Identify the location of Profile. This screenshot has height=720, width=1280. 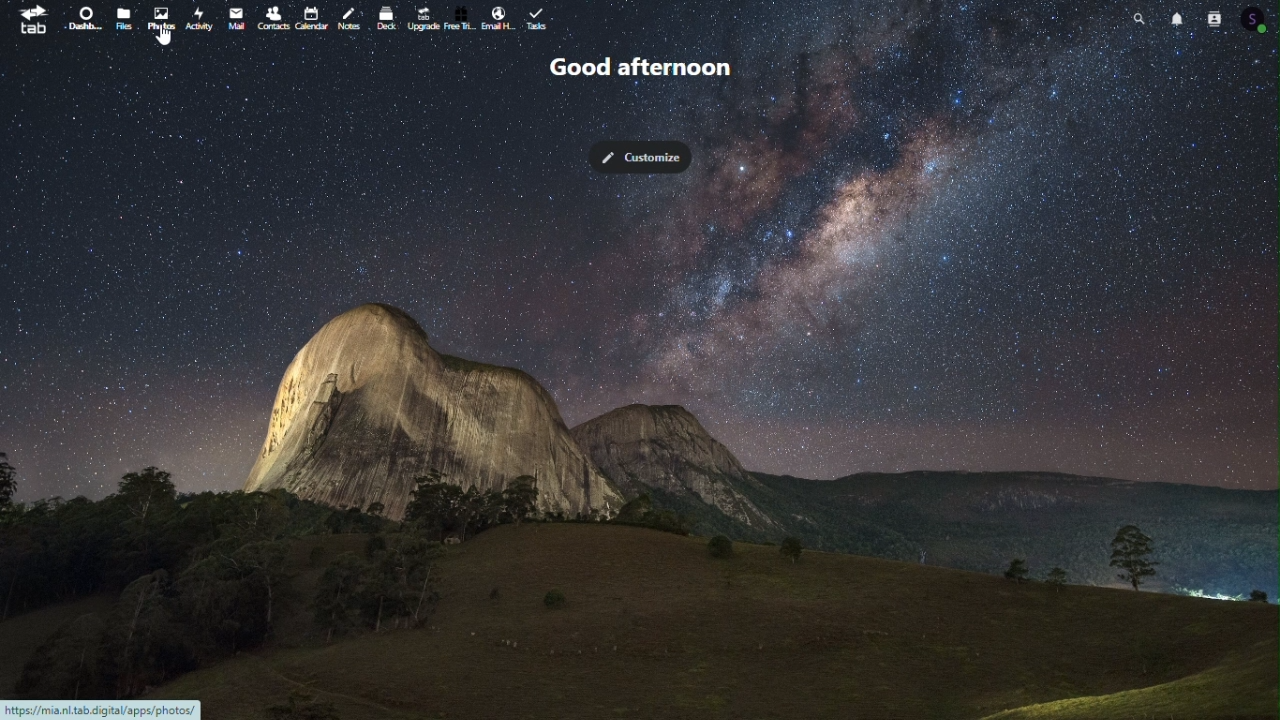
(1258, 20).